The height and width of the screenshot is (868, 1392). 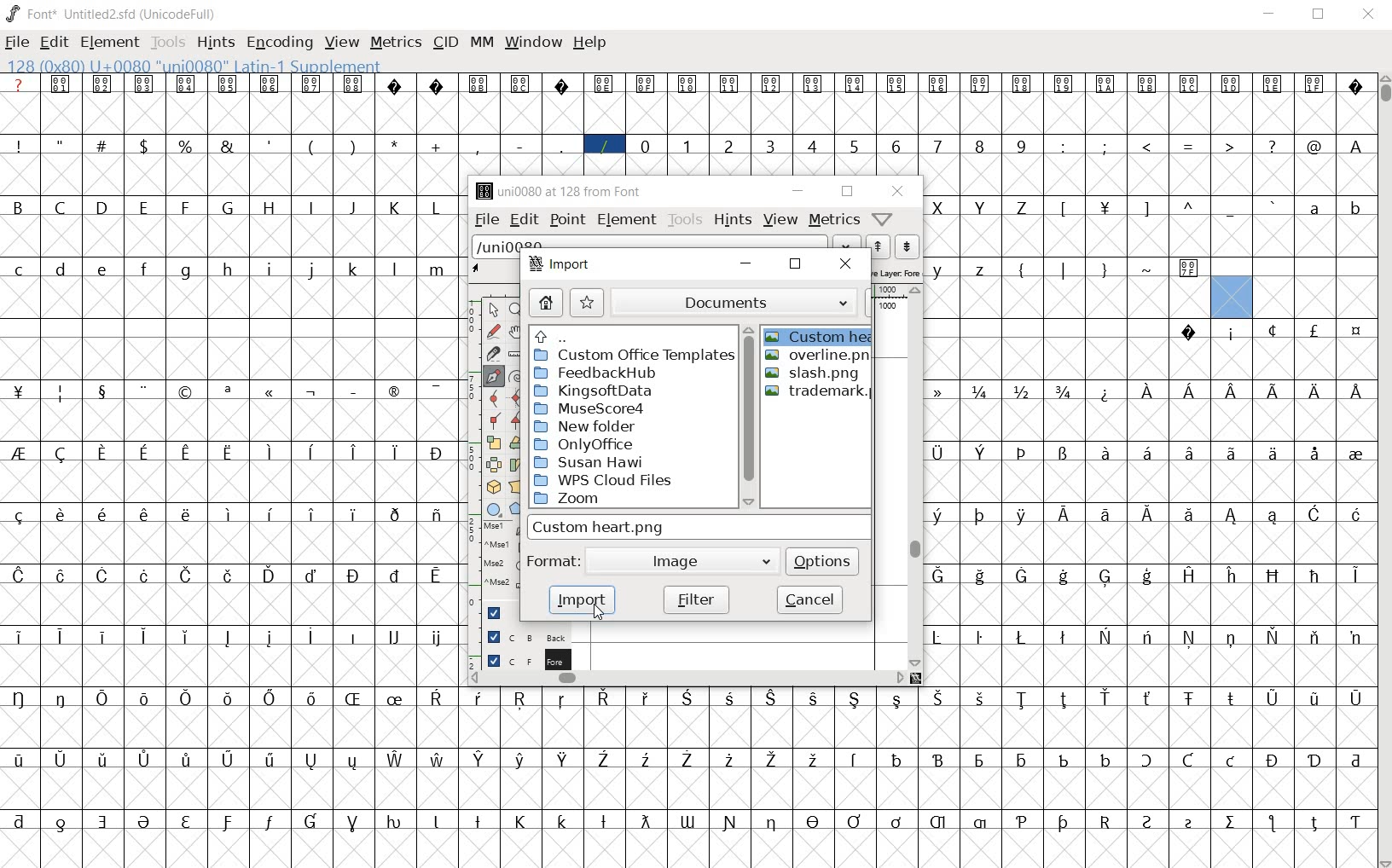 I want to click on glyph, so click(x=143, y=454).